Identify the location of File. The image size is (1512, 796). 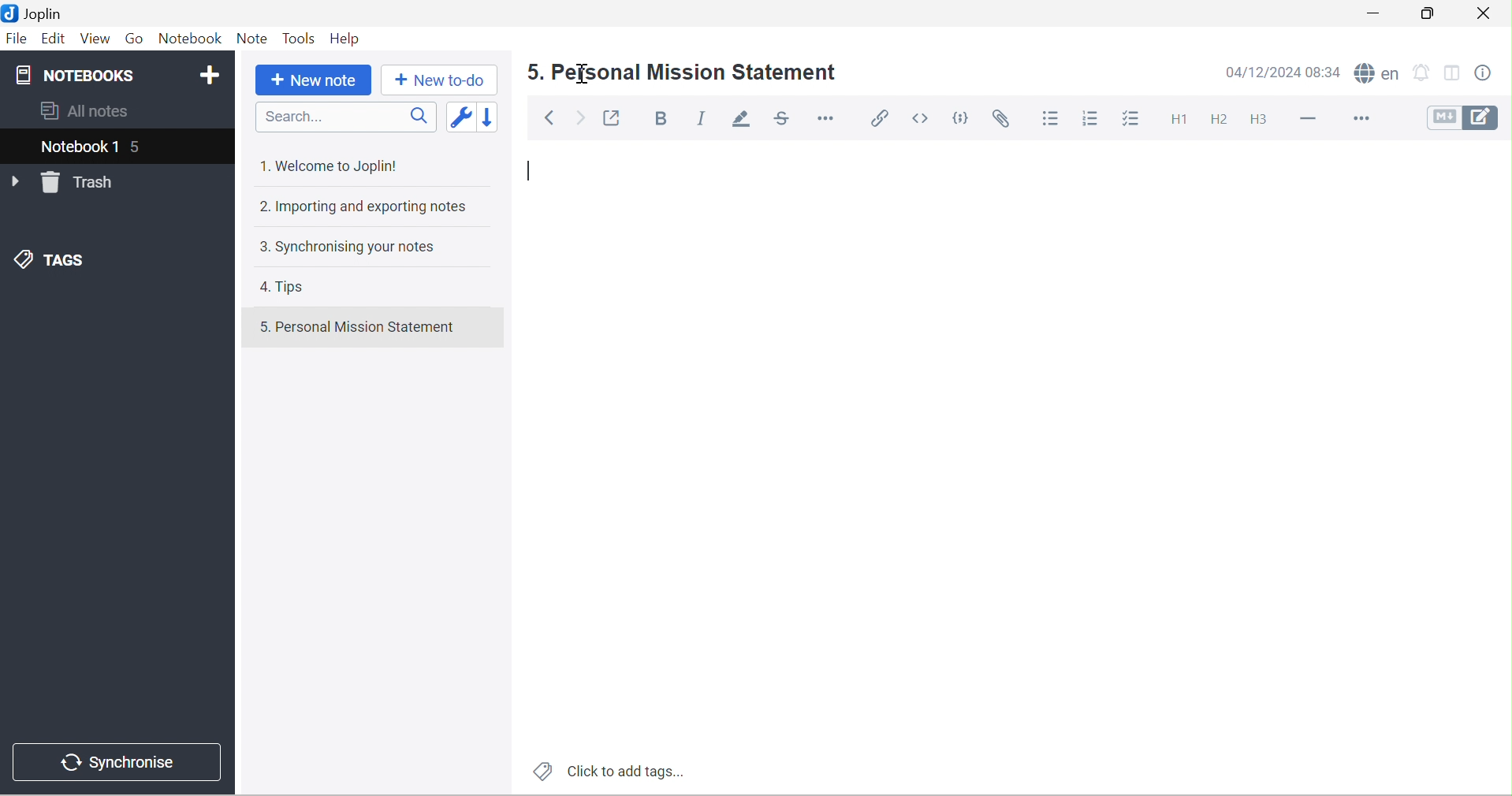
(17, 38).